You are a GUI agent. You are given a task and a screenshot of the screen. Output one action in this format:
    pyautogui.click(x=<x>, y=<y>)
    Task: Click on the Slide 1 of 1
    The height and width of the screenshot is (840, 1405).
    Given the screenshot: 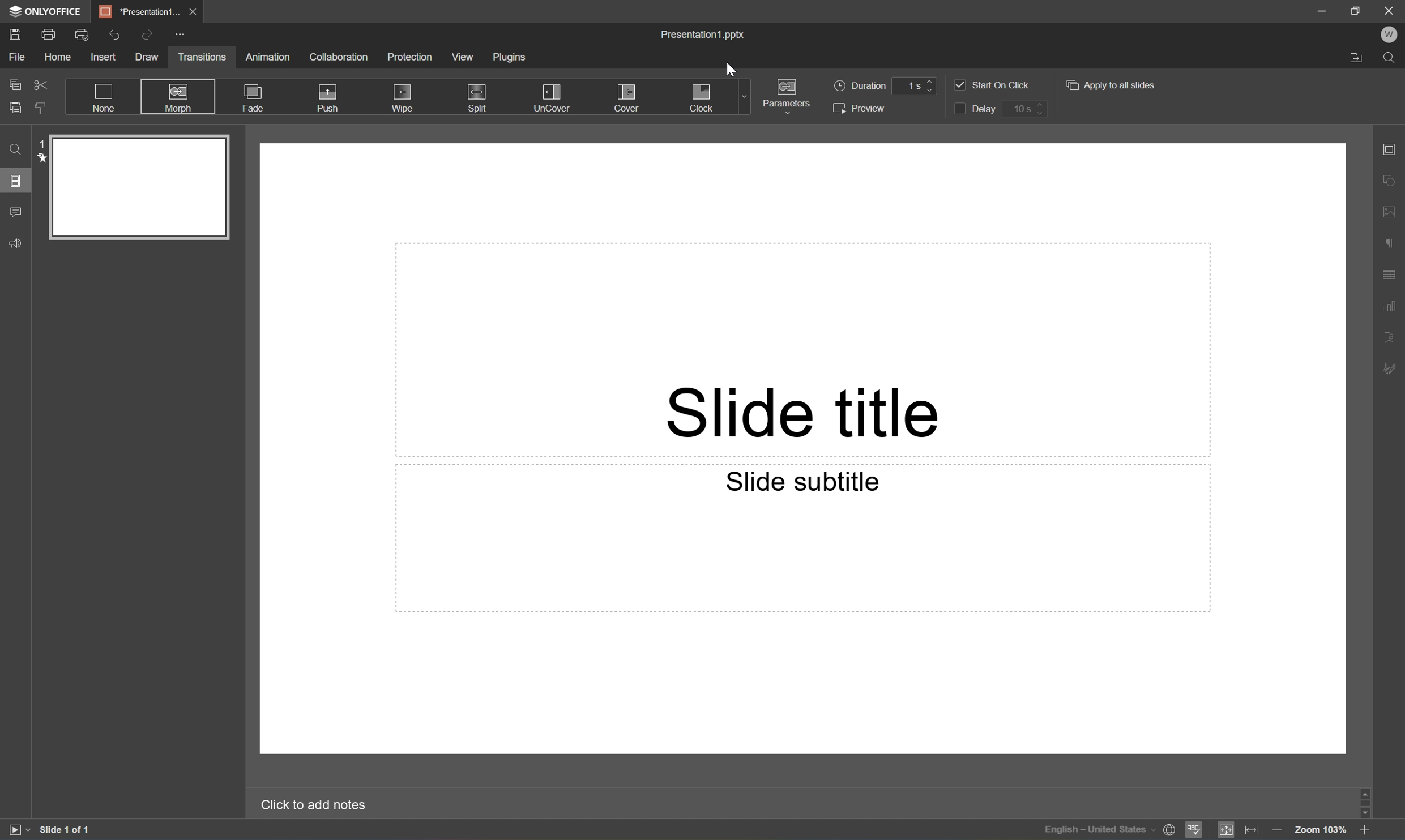 What is the action you would take?
    pyautogui.click(x=65, y=829)
    